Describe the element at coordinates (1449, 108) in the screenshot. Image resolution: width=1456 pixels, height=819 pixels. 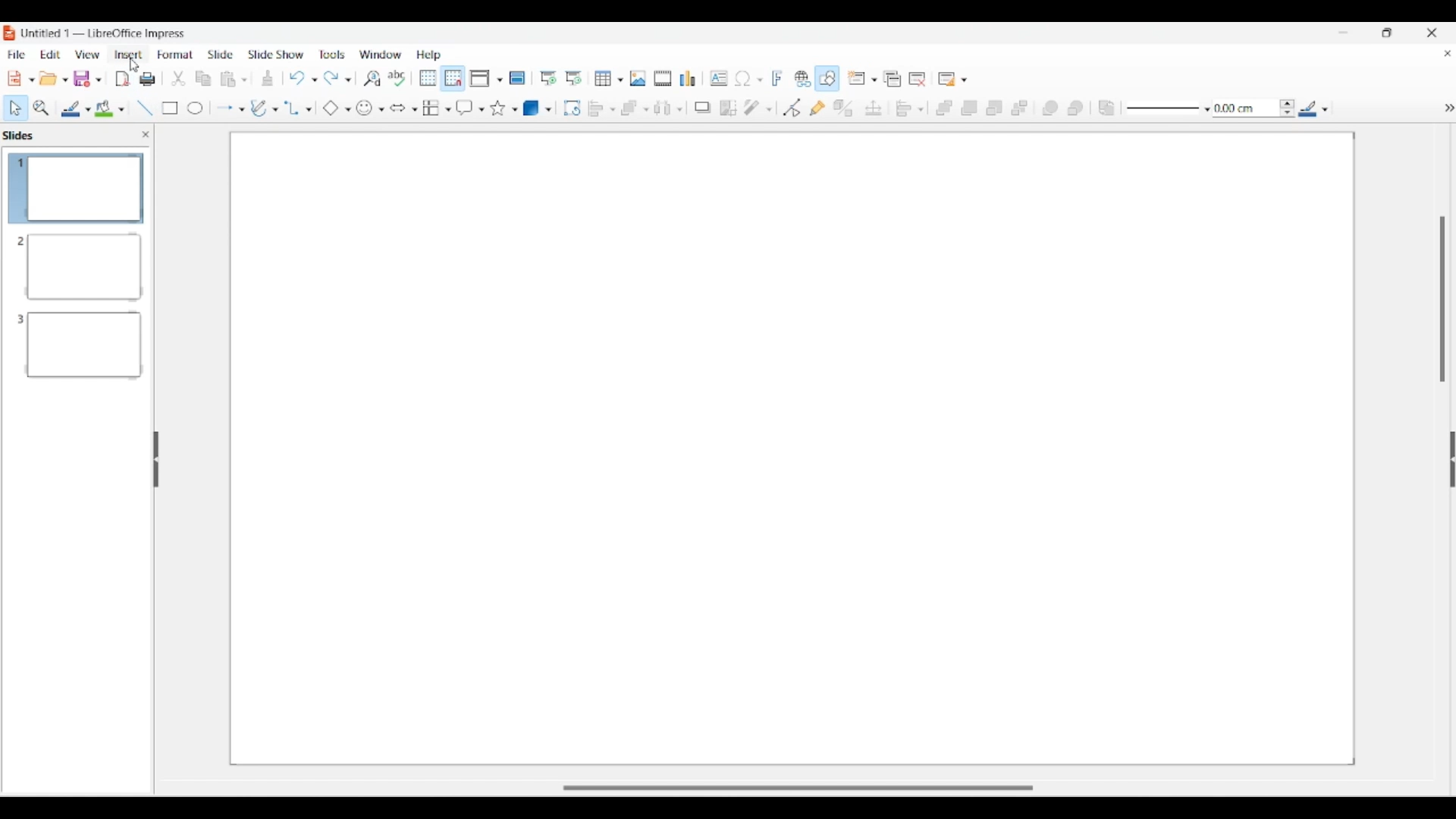
I see `Menu` at that location.